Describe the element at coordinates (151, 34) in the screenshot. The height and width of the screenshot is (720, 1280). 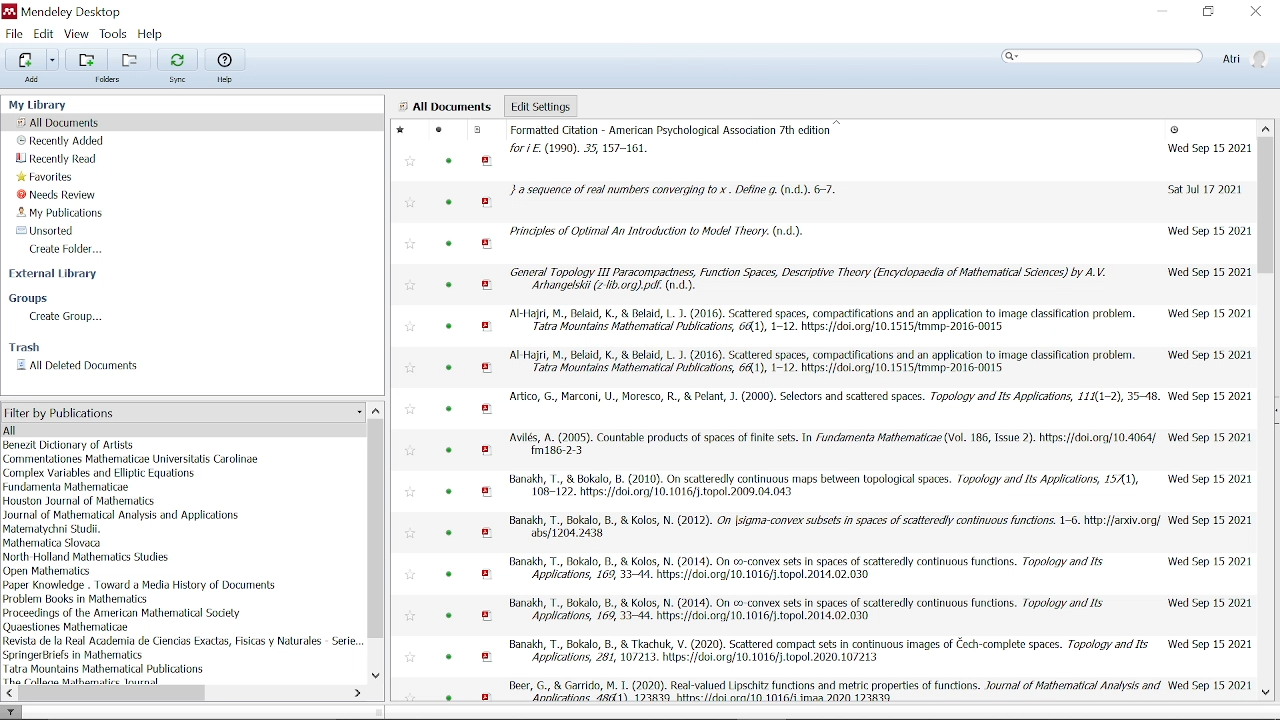
I see `Help` at that location.